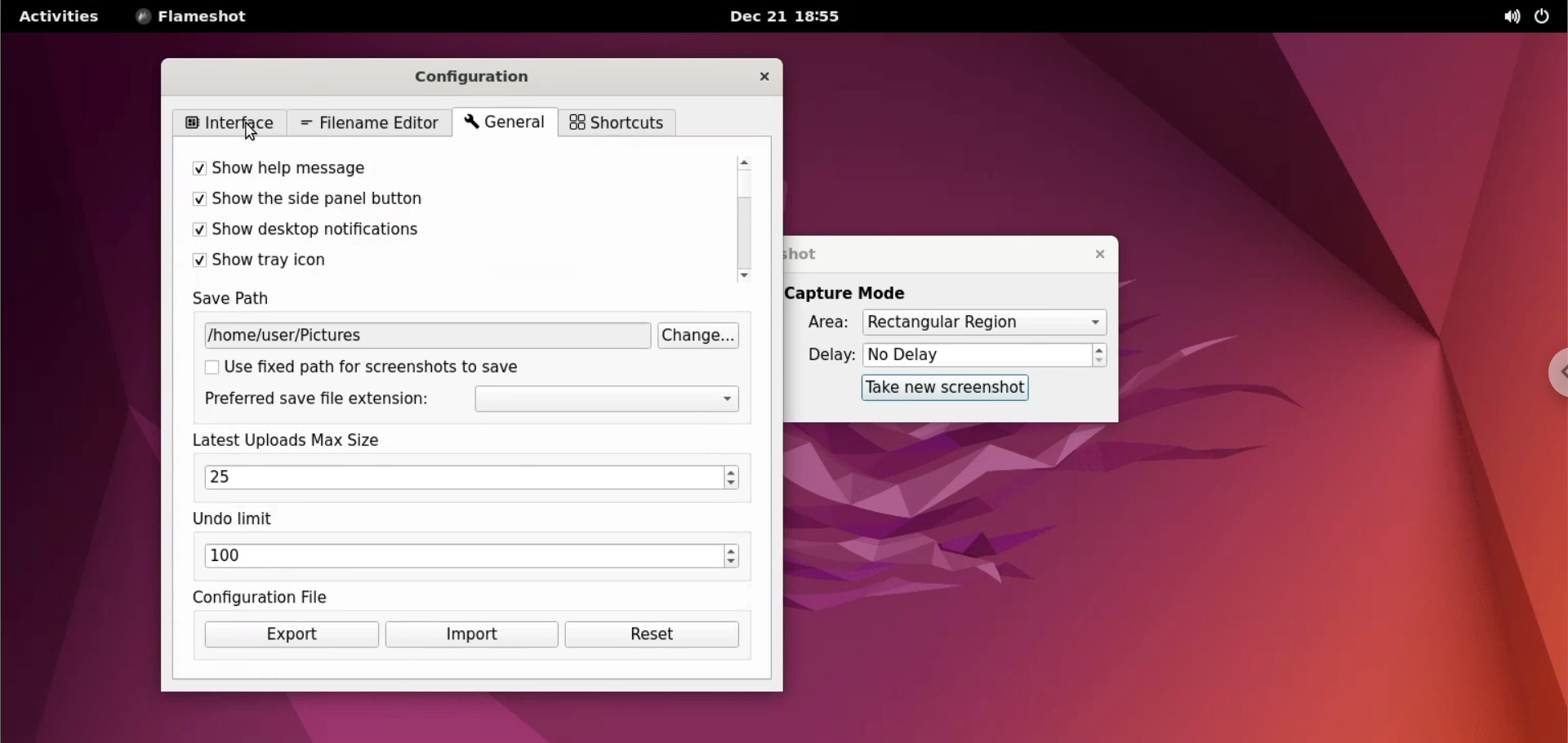  I want to click on FLAMESHOT, so click(204, 18).